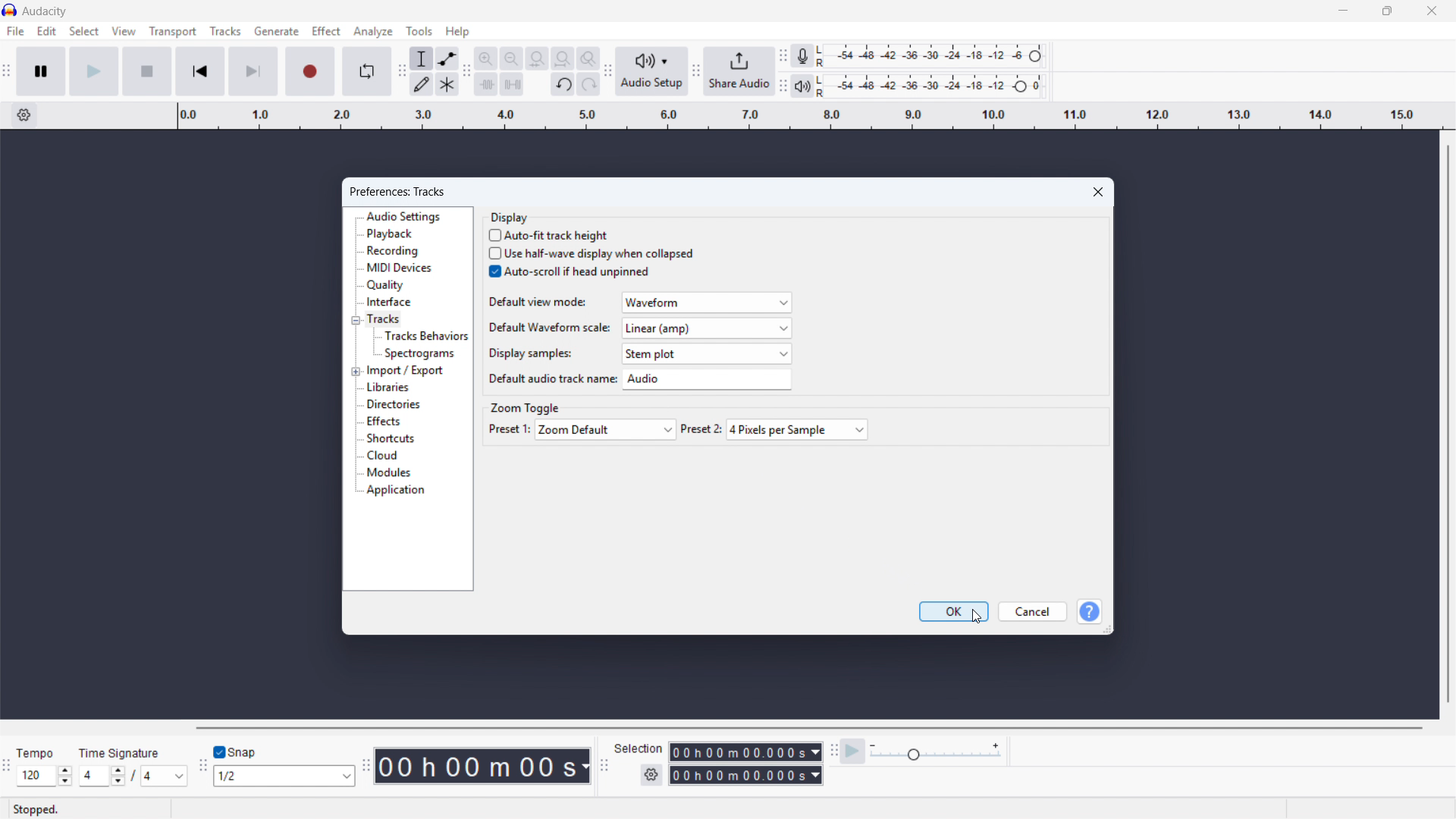 This screenshot has height=819, width=1456. I want to click on display, so click(510, 217).